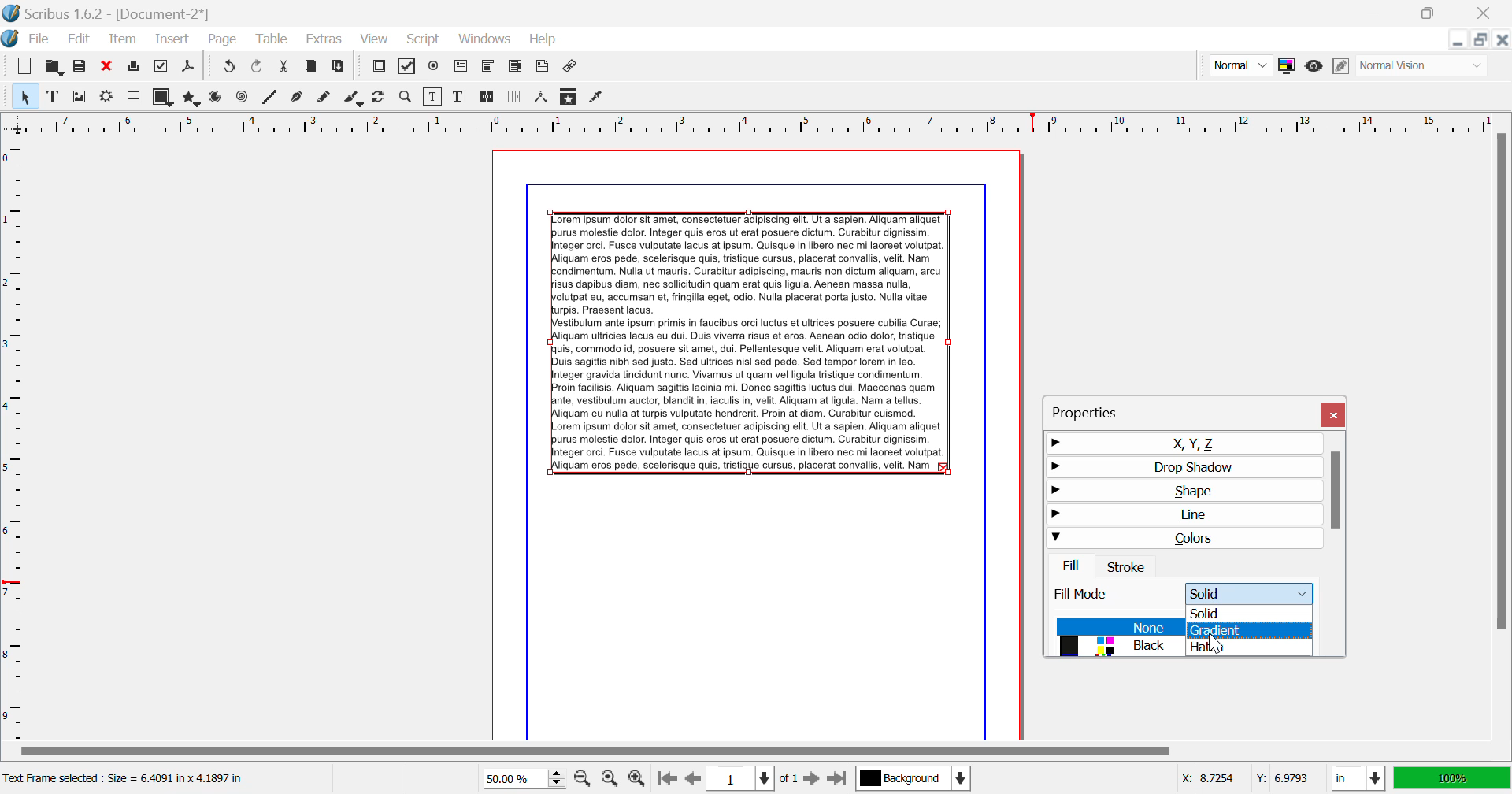  I want to click on Last Page, so click(836, 779).